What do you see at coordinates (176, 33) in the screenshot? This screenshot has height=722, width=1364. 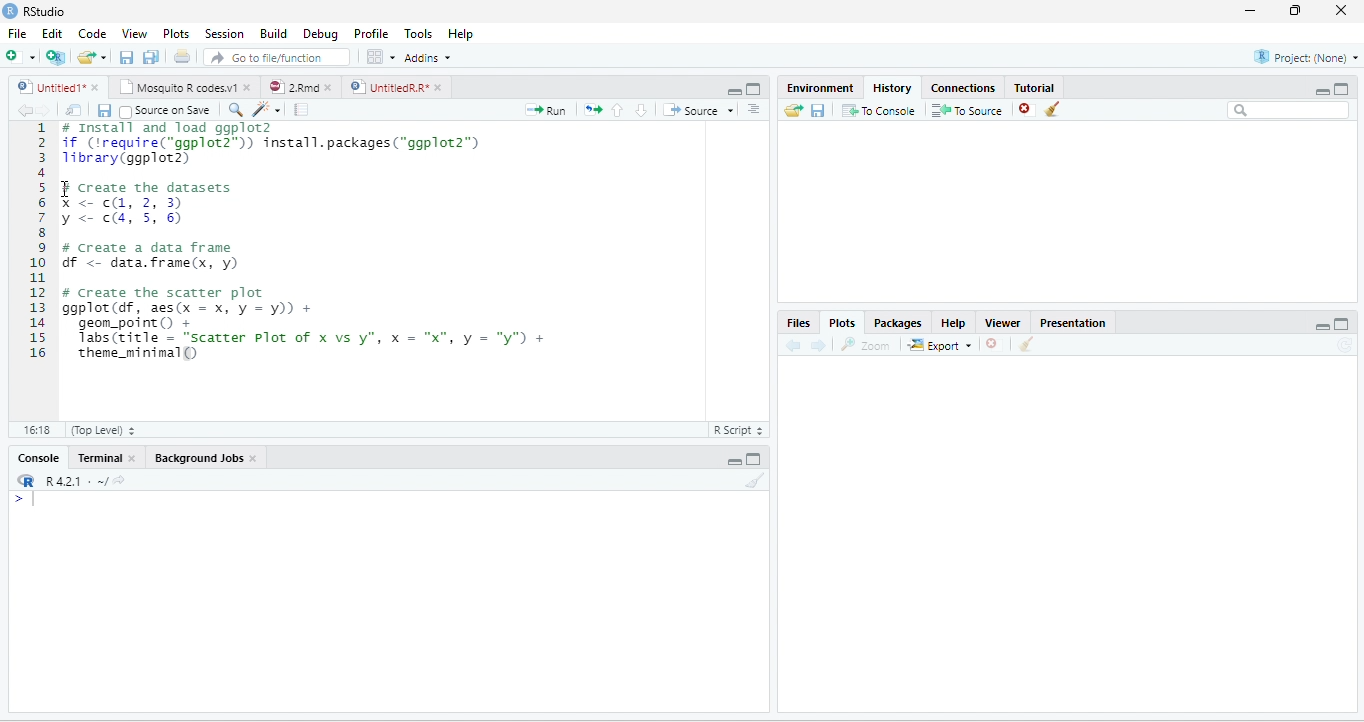 I see `Plots` at bounding box center [176, 33].